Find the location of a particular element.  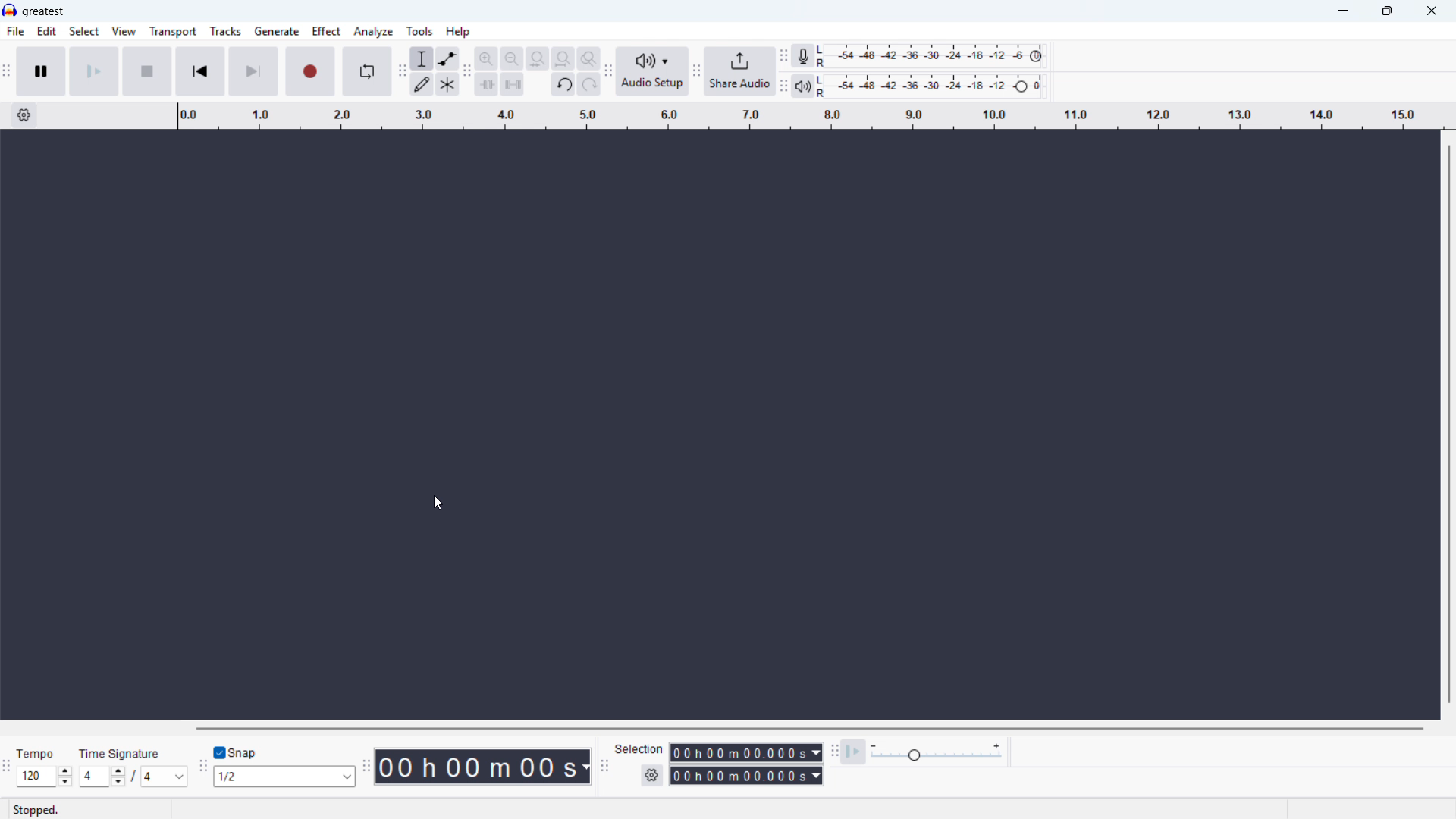

greatest is located at coordinates (44, 11).